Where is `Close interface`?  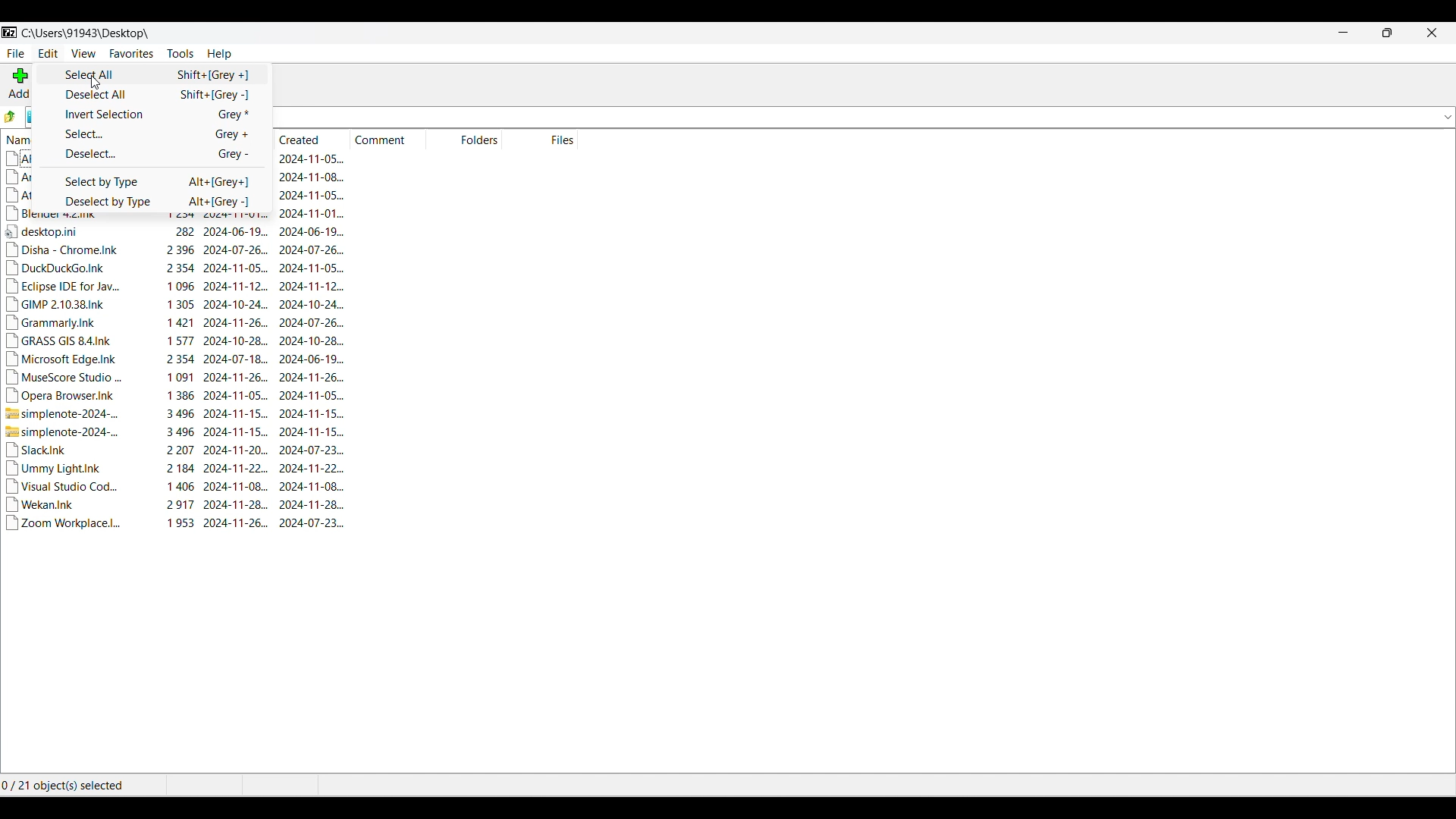 Close interface is located at coordinates (1432, 33).